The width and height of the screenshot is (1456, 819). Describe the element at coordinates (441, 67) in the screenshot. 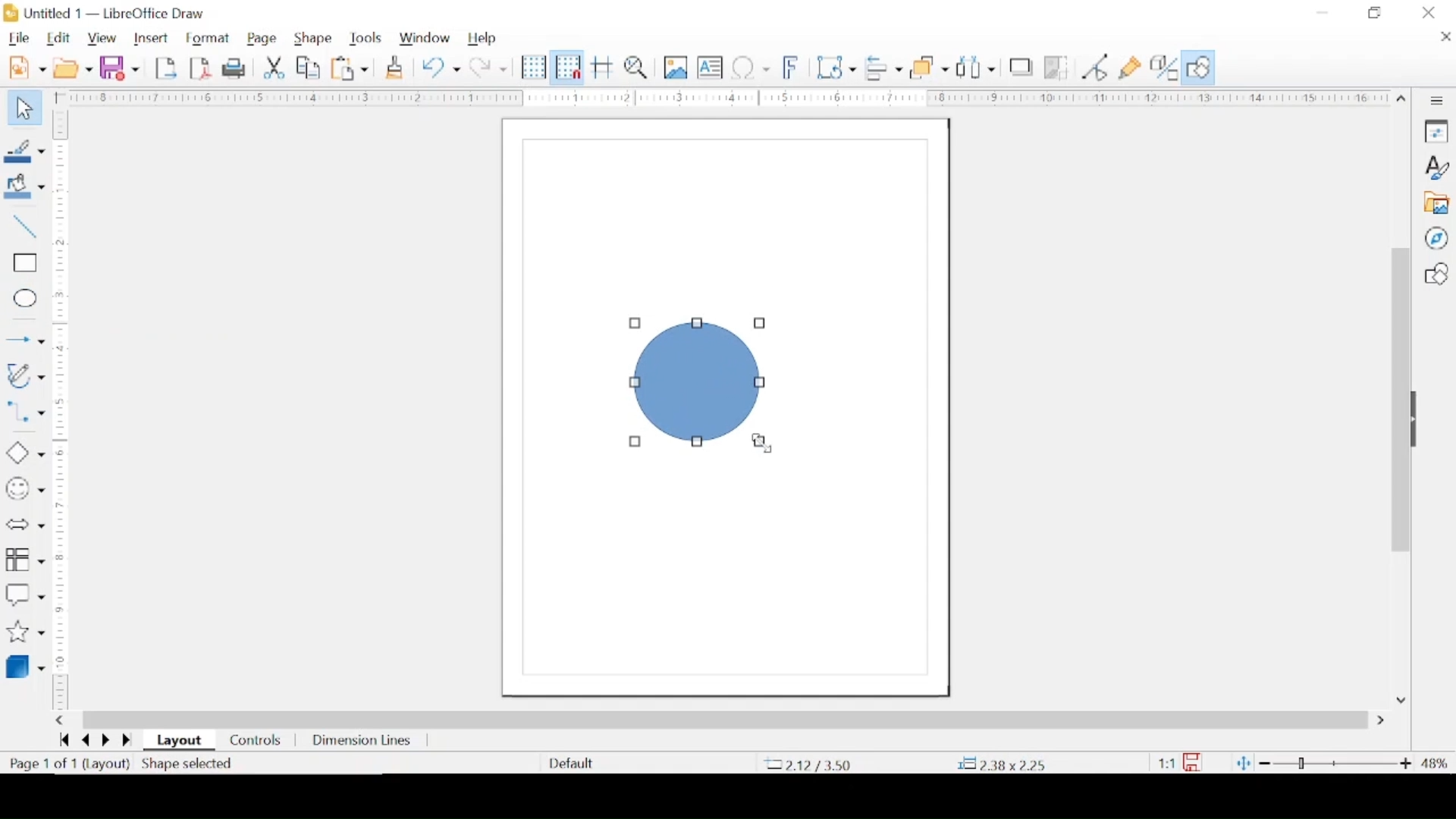

I see `undo` at that location.